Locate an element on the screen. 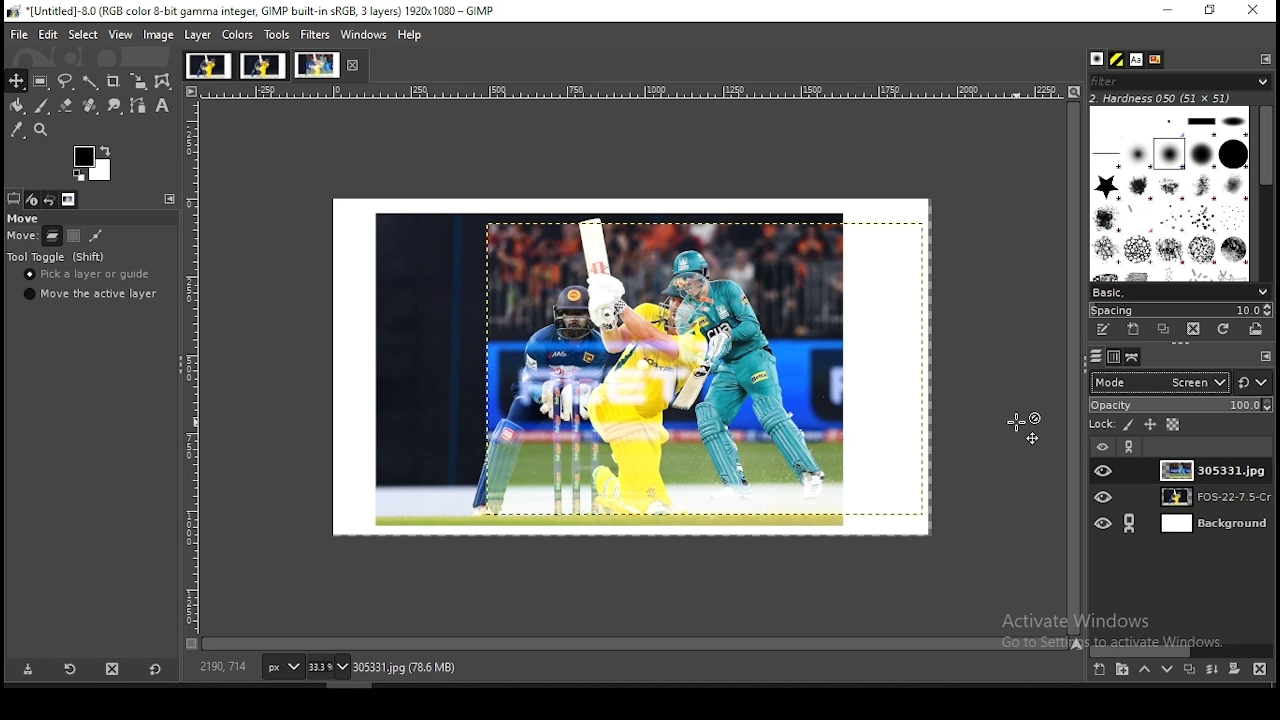  configure this tab is located at coordinates (170, 198).